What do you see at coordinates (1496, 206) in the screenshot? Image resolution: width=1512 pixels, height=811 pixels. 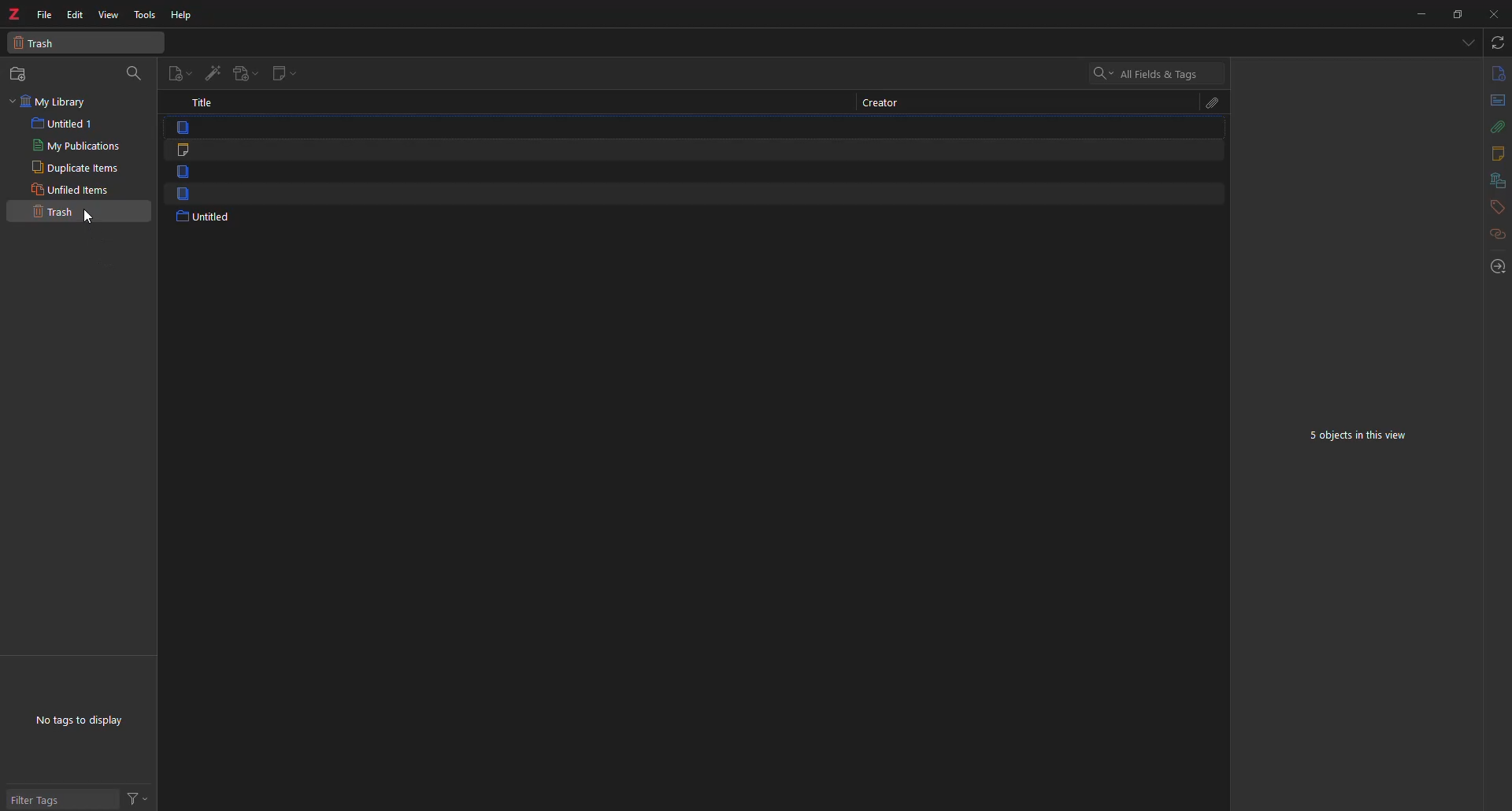 I see `tags` at bounding box center [1496, 206].